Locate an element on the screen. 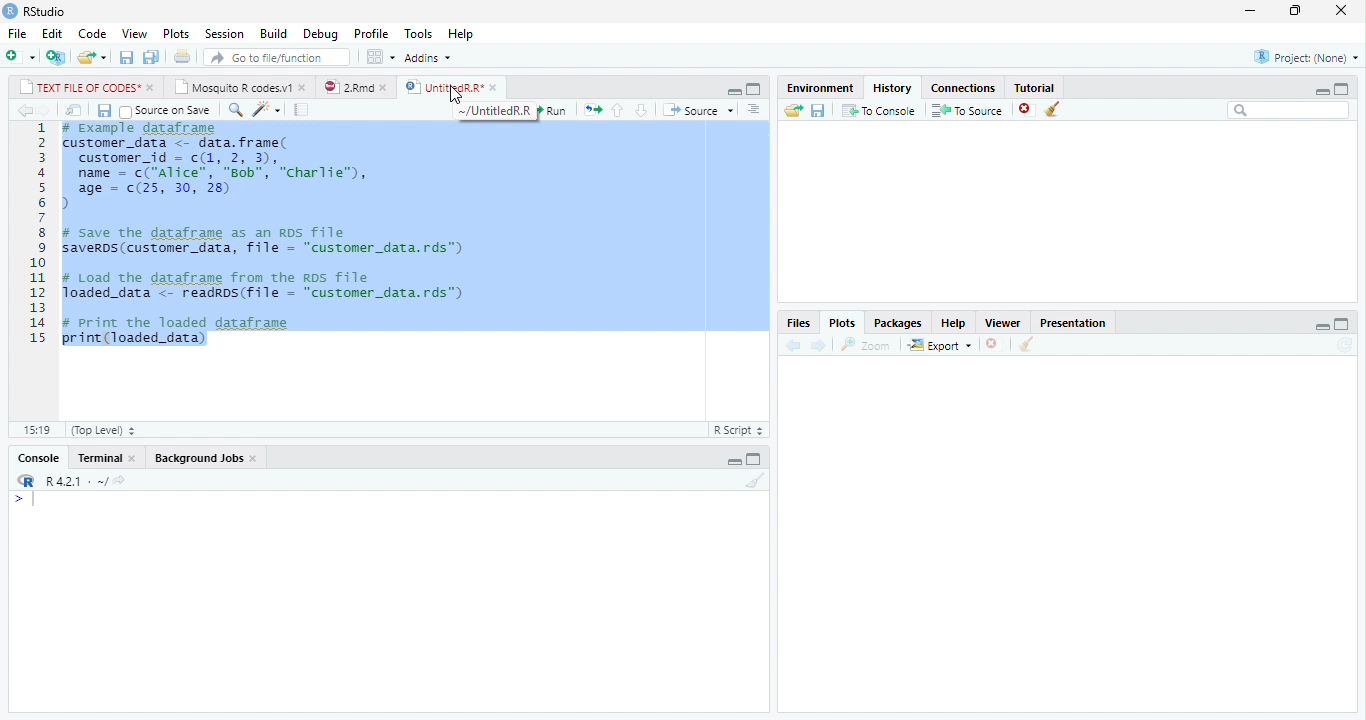 The height and width of the screenshot is (720, 1366). options is located at coordinates (380, 57).